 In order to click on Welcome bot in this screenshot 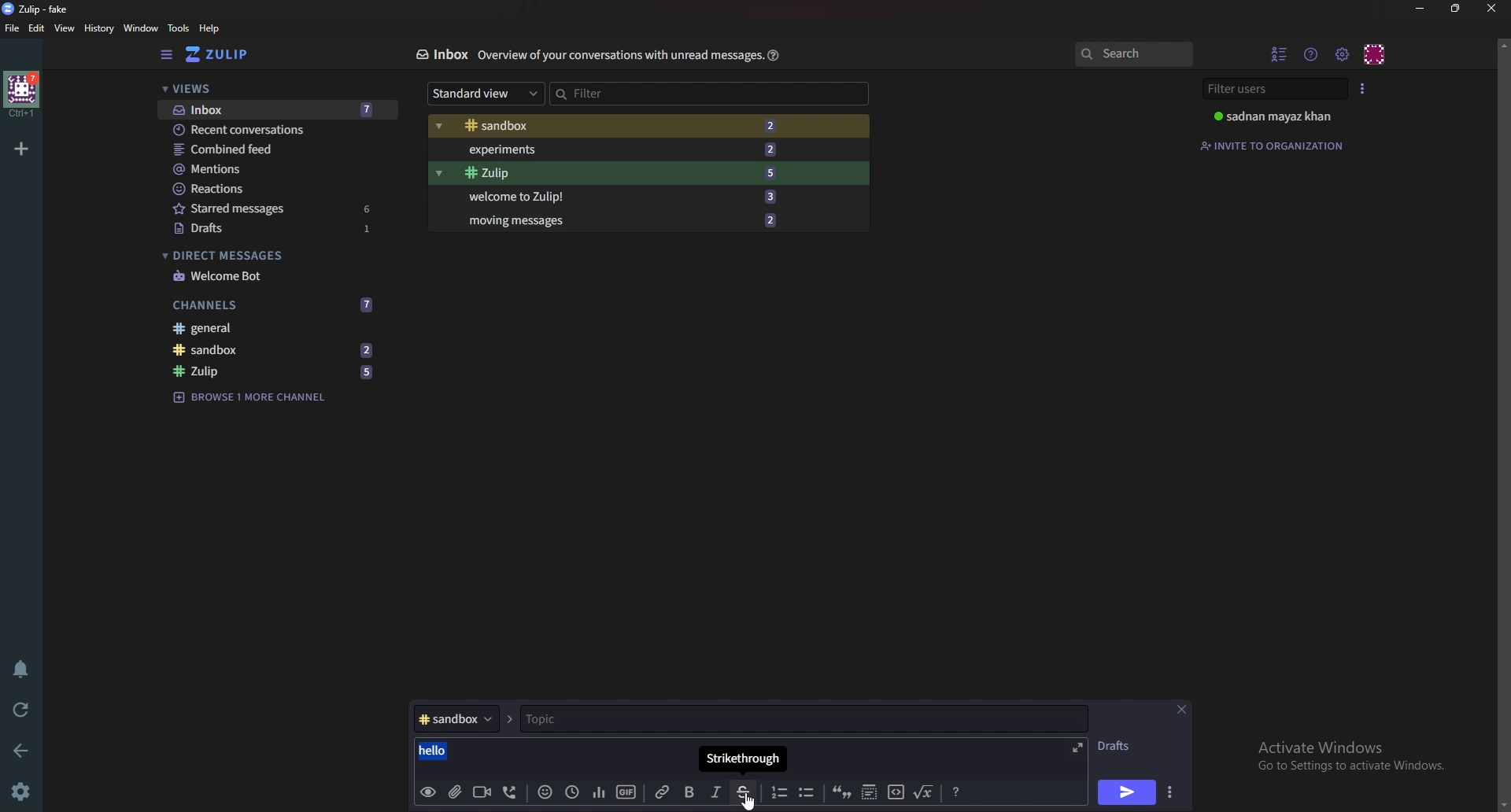, I will do `click(274, 275)`.